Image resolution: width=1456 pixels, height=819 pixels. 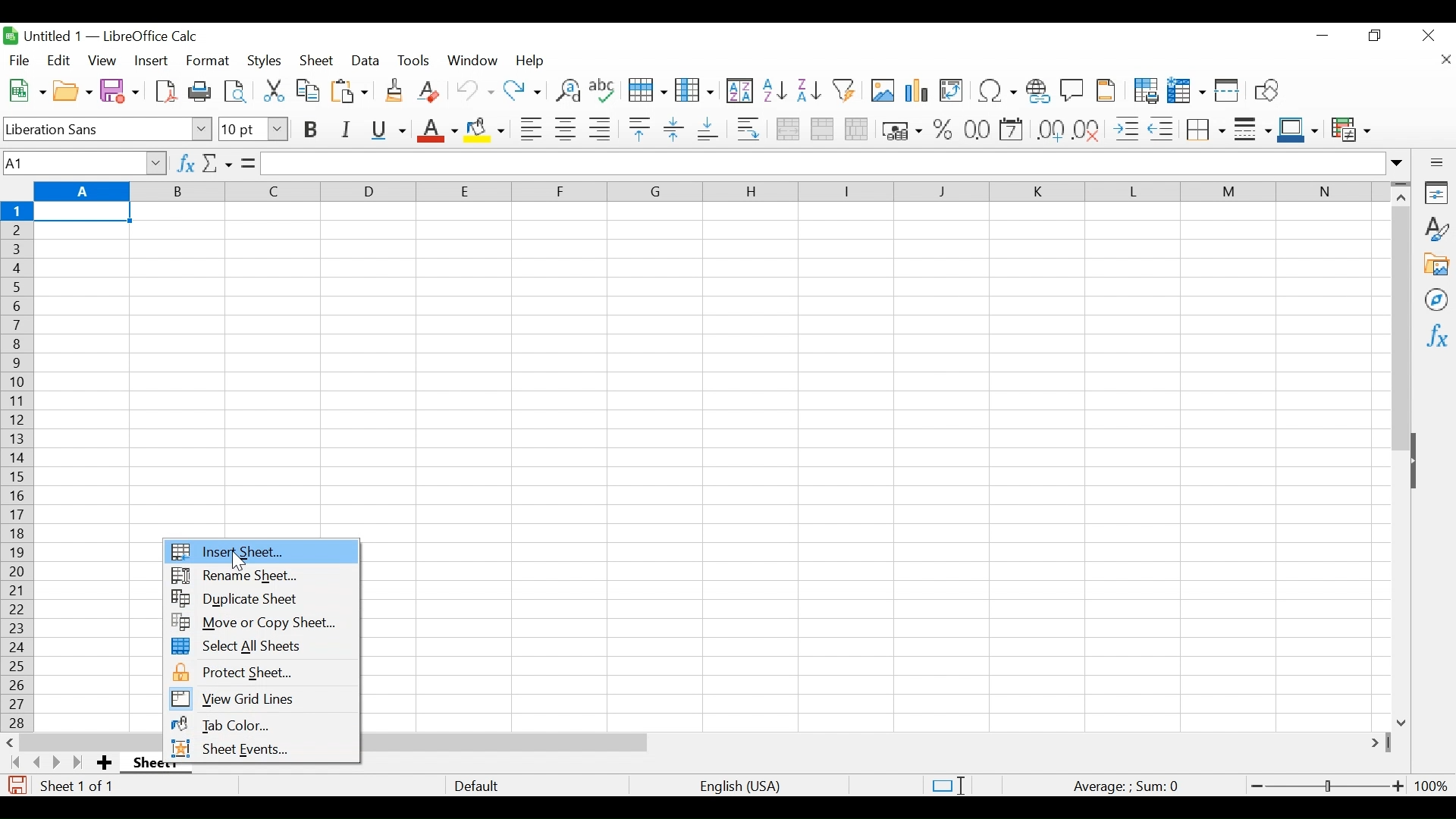 What do you see at coordinates (1186, 90) in the screenshot?
I see `Freeze Rows and Columns` at bounding box center [1186, 90].